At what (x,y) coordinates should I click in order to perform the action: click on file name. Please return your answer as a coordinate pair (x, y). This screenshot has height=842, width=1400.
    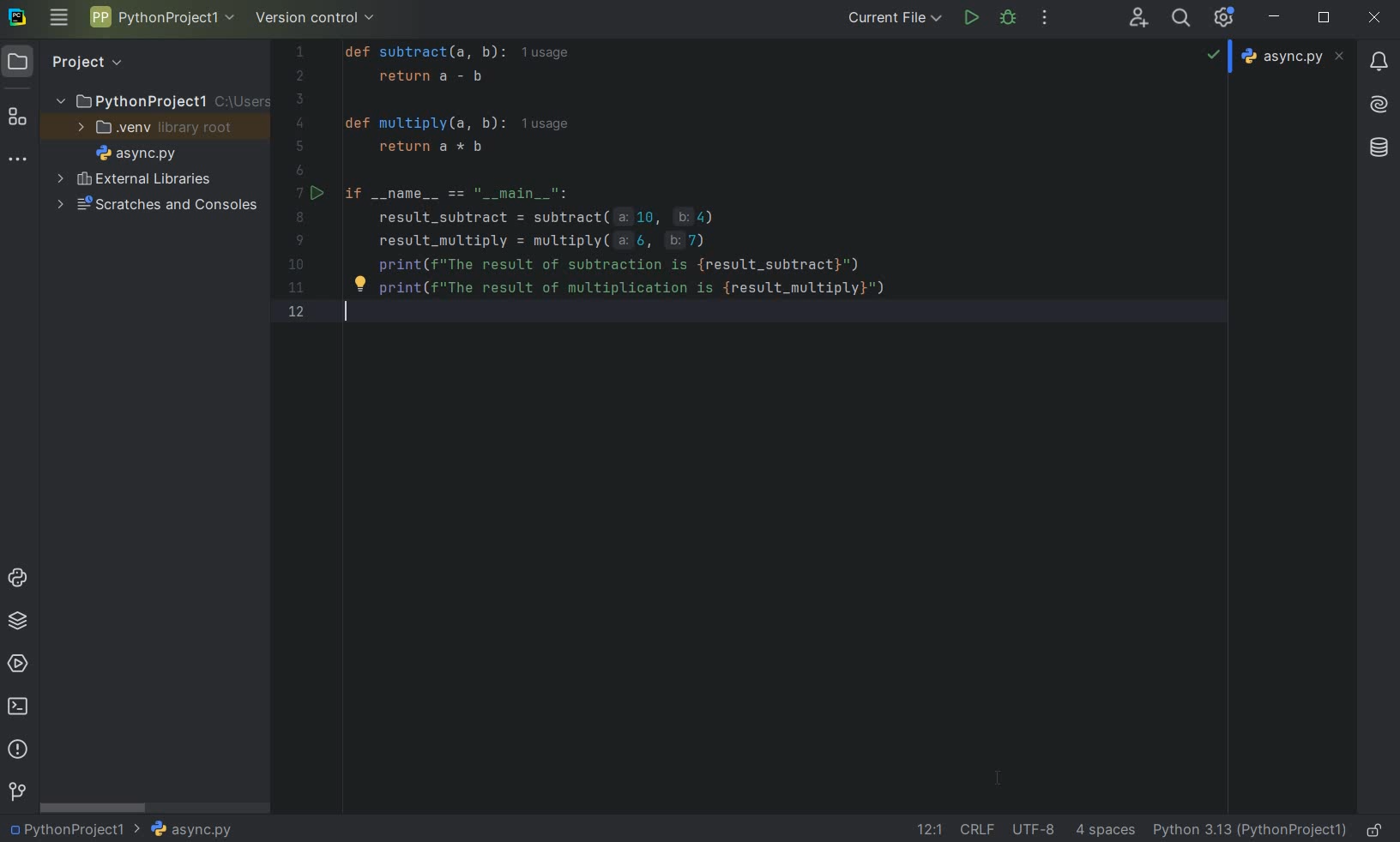
    Looking at the image, I should click on (1295, 56).